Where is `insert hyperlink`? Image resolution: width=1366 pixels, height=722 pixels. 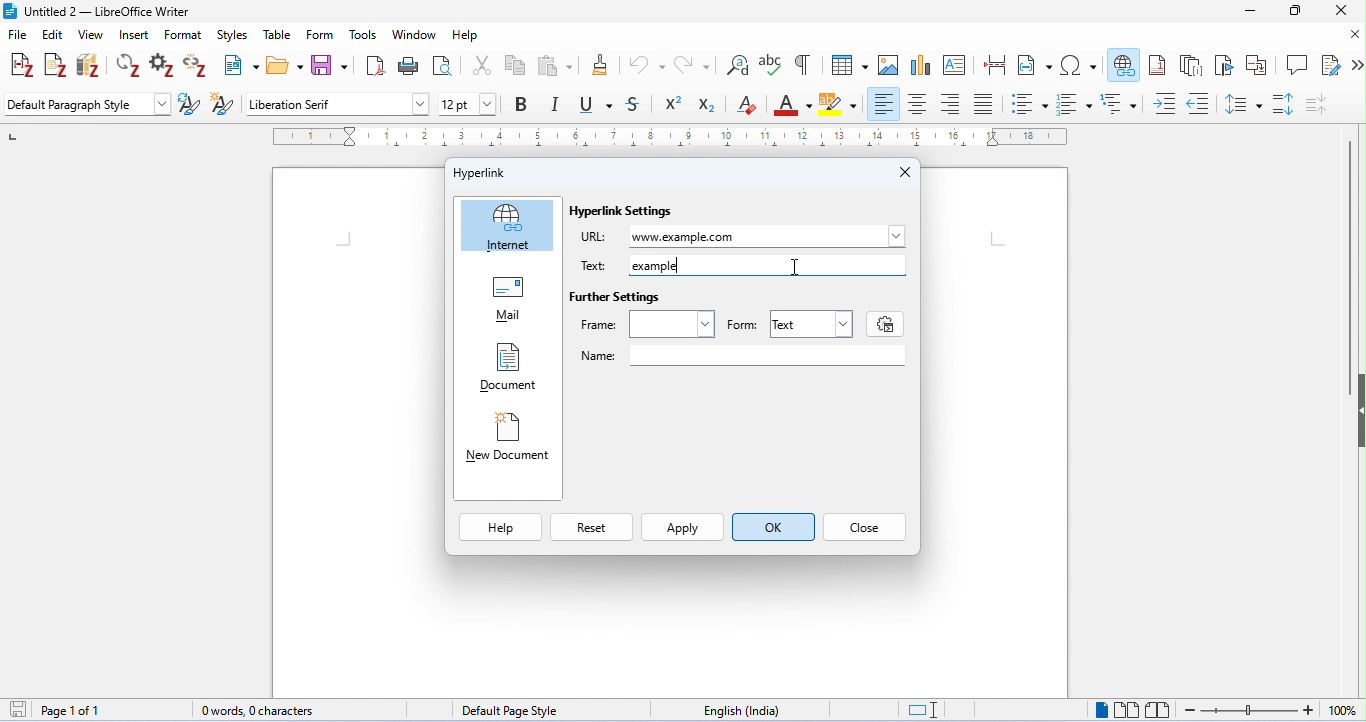
insert hyperlink is located at coordinates (1122, 62).